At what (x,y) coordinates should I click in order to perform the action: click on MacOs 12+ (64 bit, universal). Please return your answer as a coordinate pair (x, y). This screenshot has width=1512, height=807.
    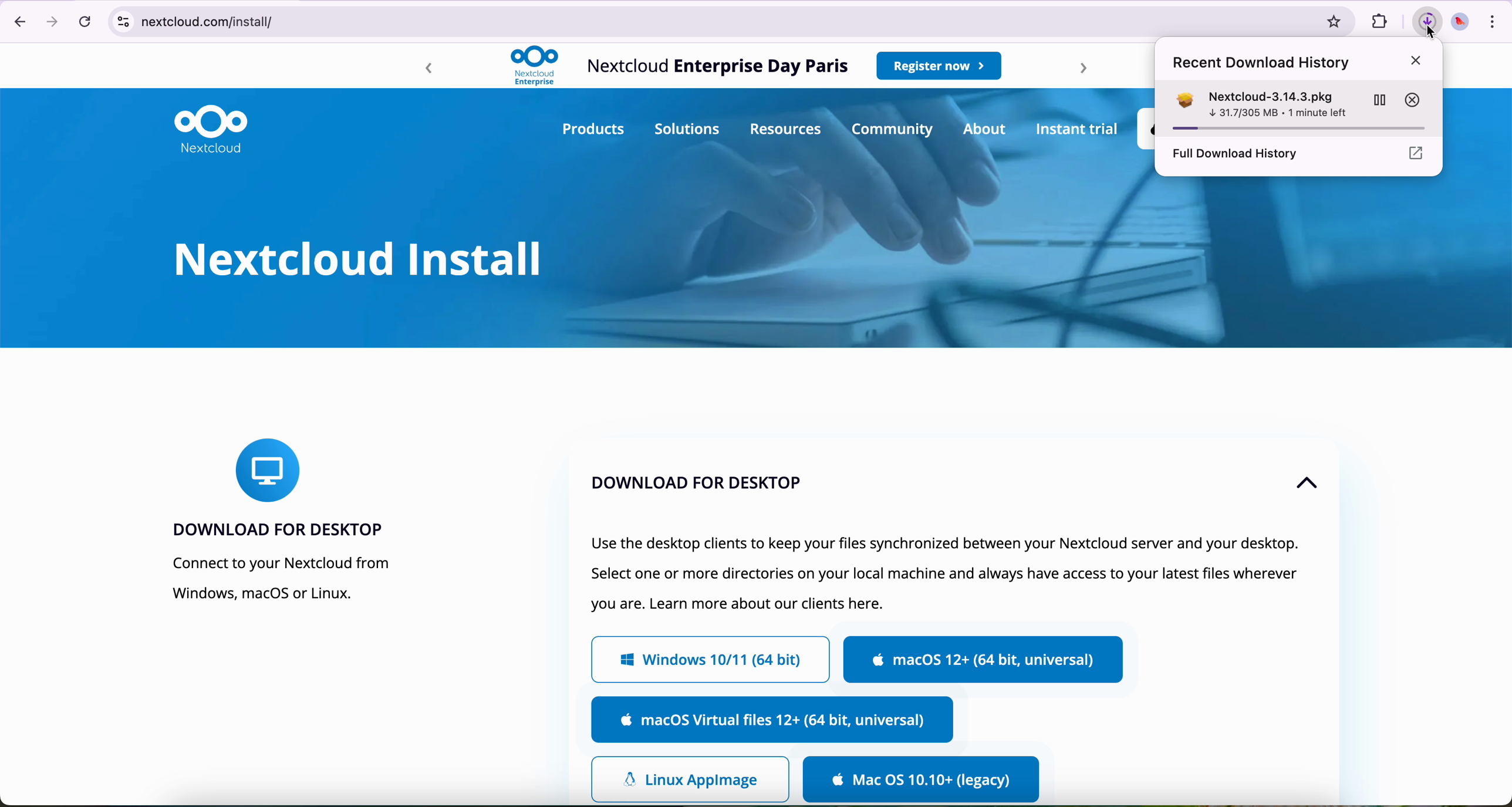
    Looking at the image, I should click on (984, 660).